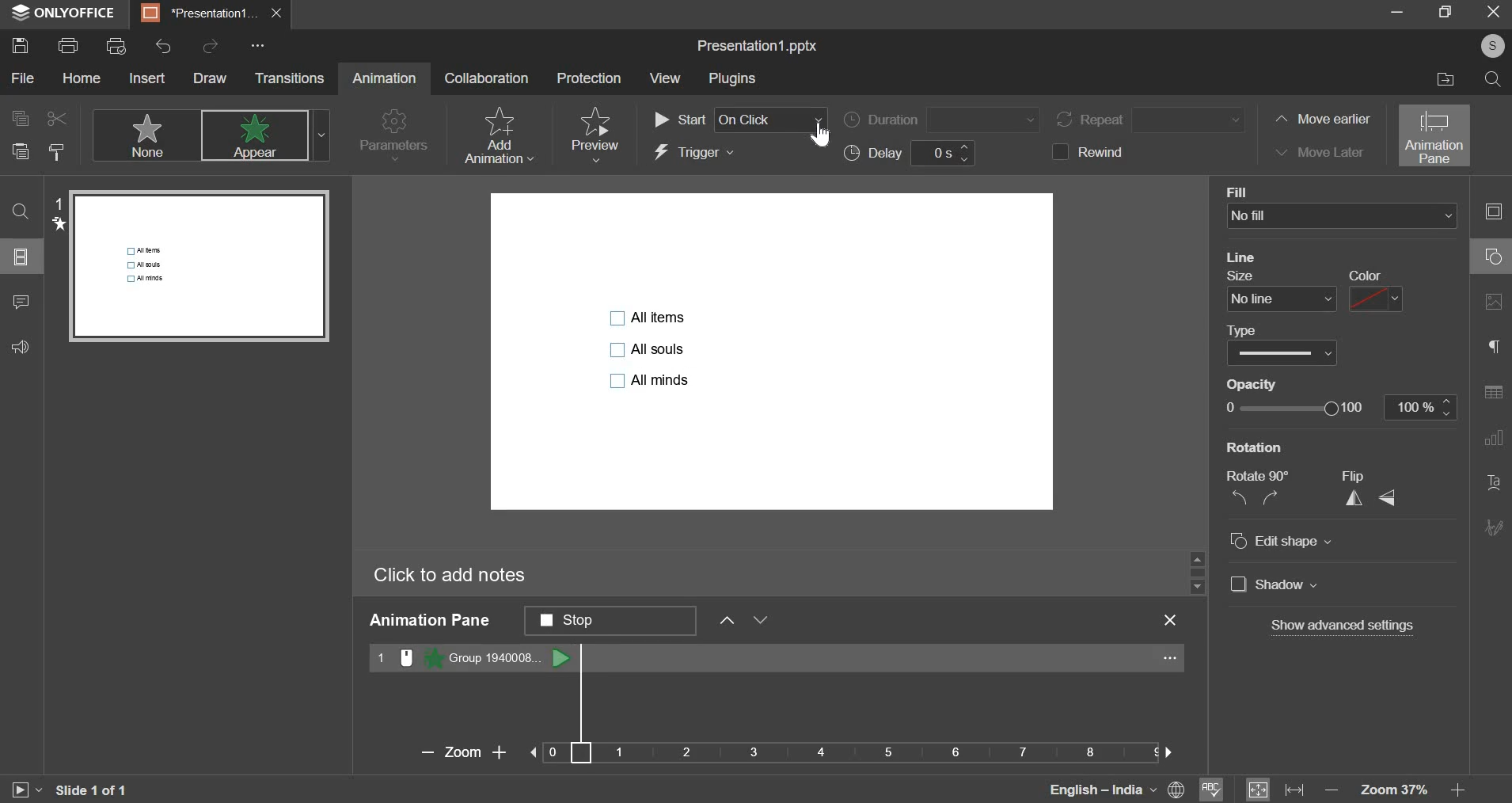 The width and height of the screenshot is (1512, 803). I want to click on Shadow , so click(1286, 585).